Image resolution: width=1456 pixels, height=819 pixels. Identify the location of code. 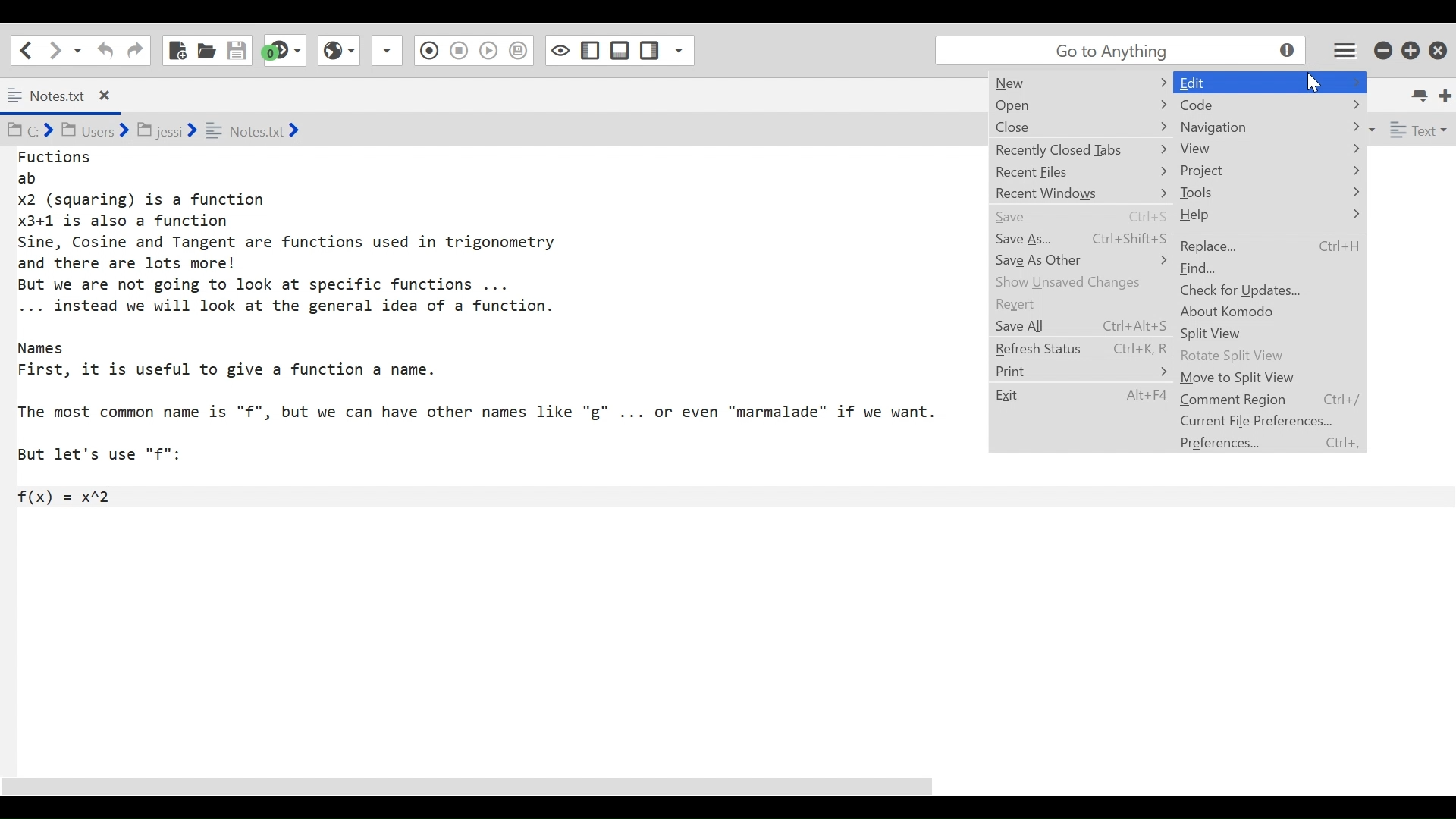
(1276, 104).